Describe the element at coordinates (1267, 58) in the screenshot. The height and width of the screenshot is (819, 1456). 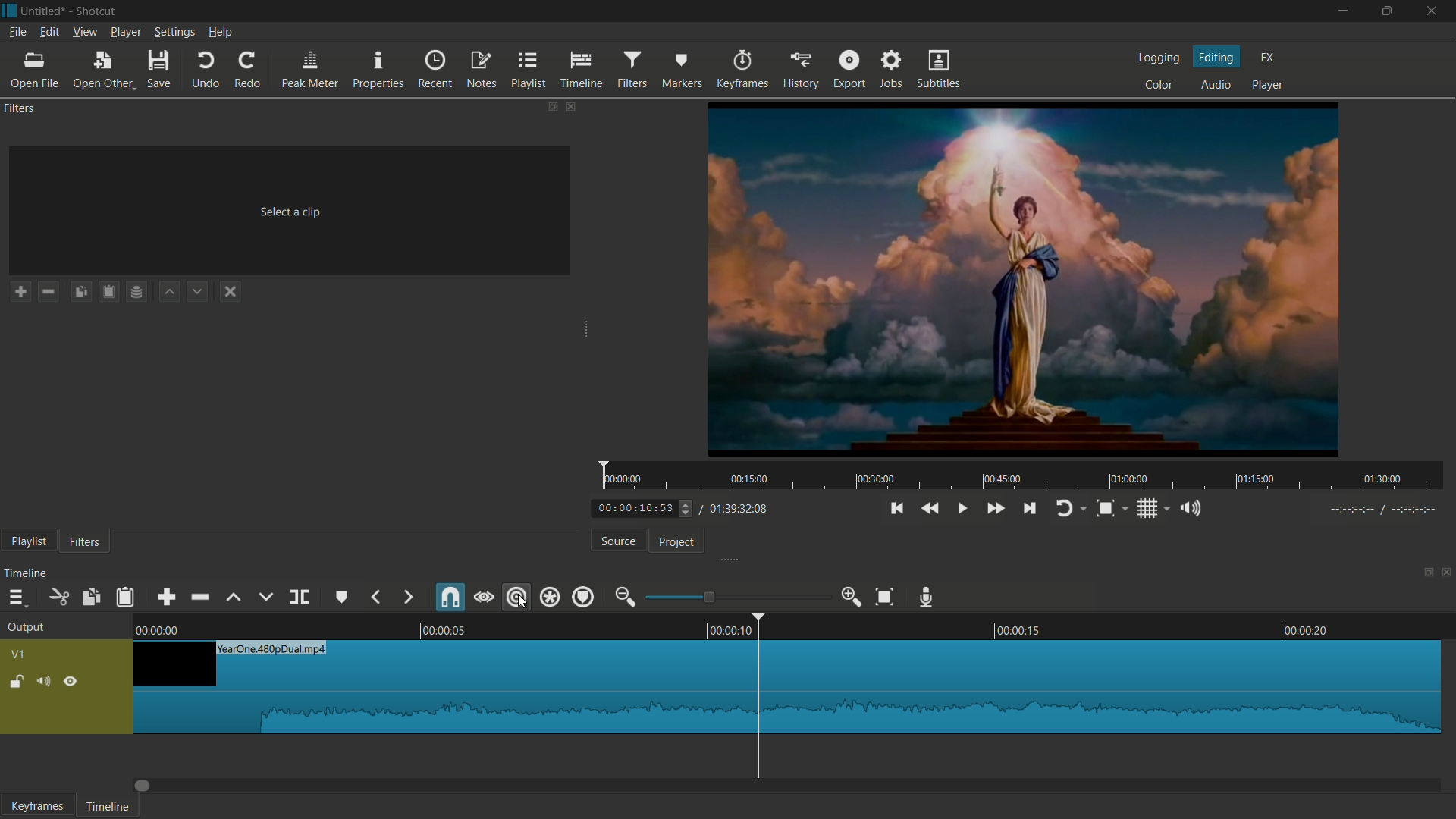
I see `fx` at that location.